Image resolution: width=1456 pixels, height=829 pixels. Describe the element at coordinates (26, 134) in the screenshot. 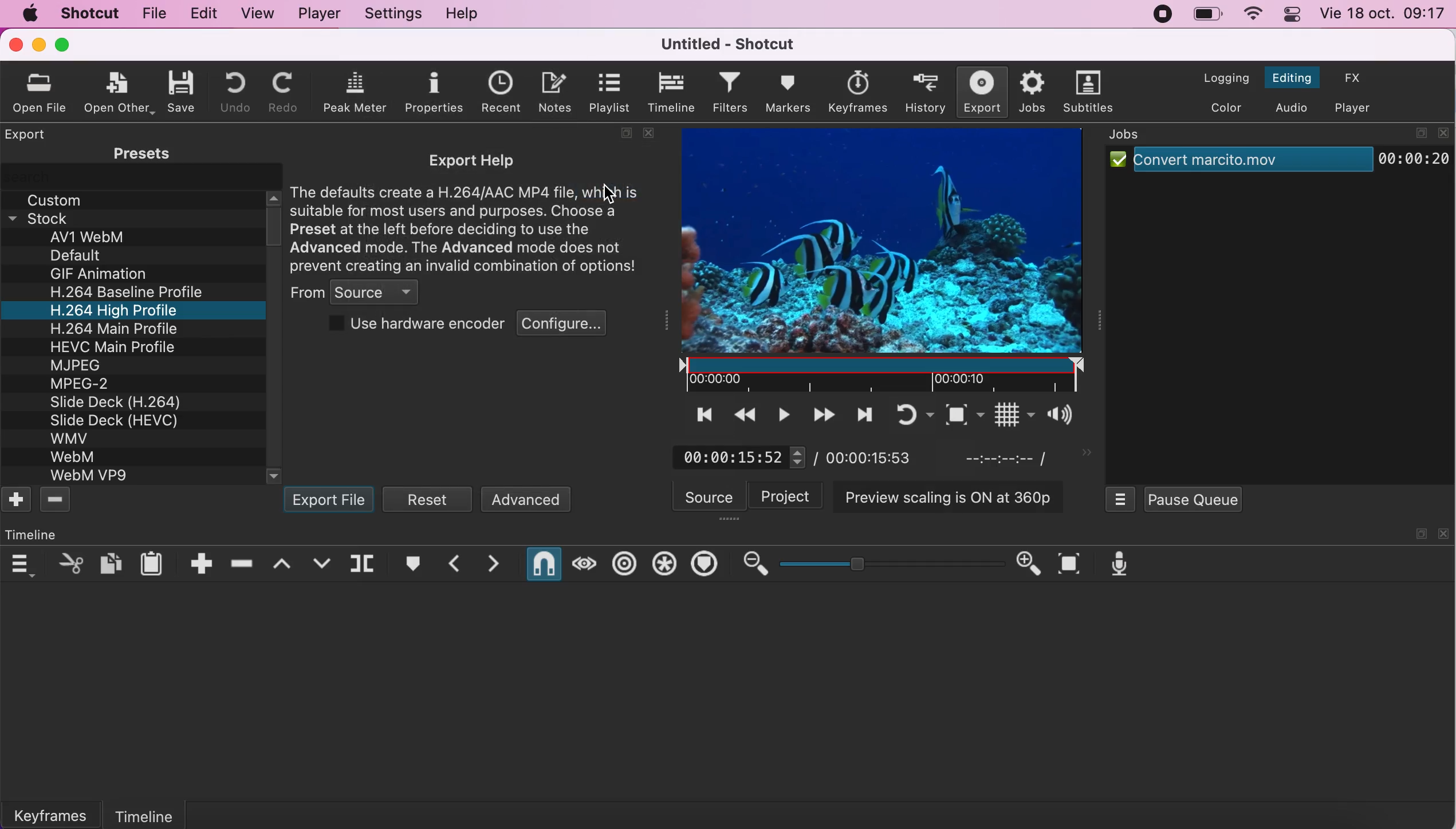

I see `export panel` at that location.